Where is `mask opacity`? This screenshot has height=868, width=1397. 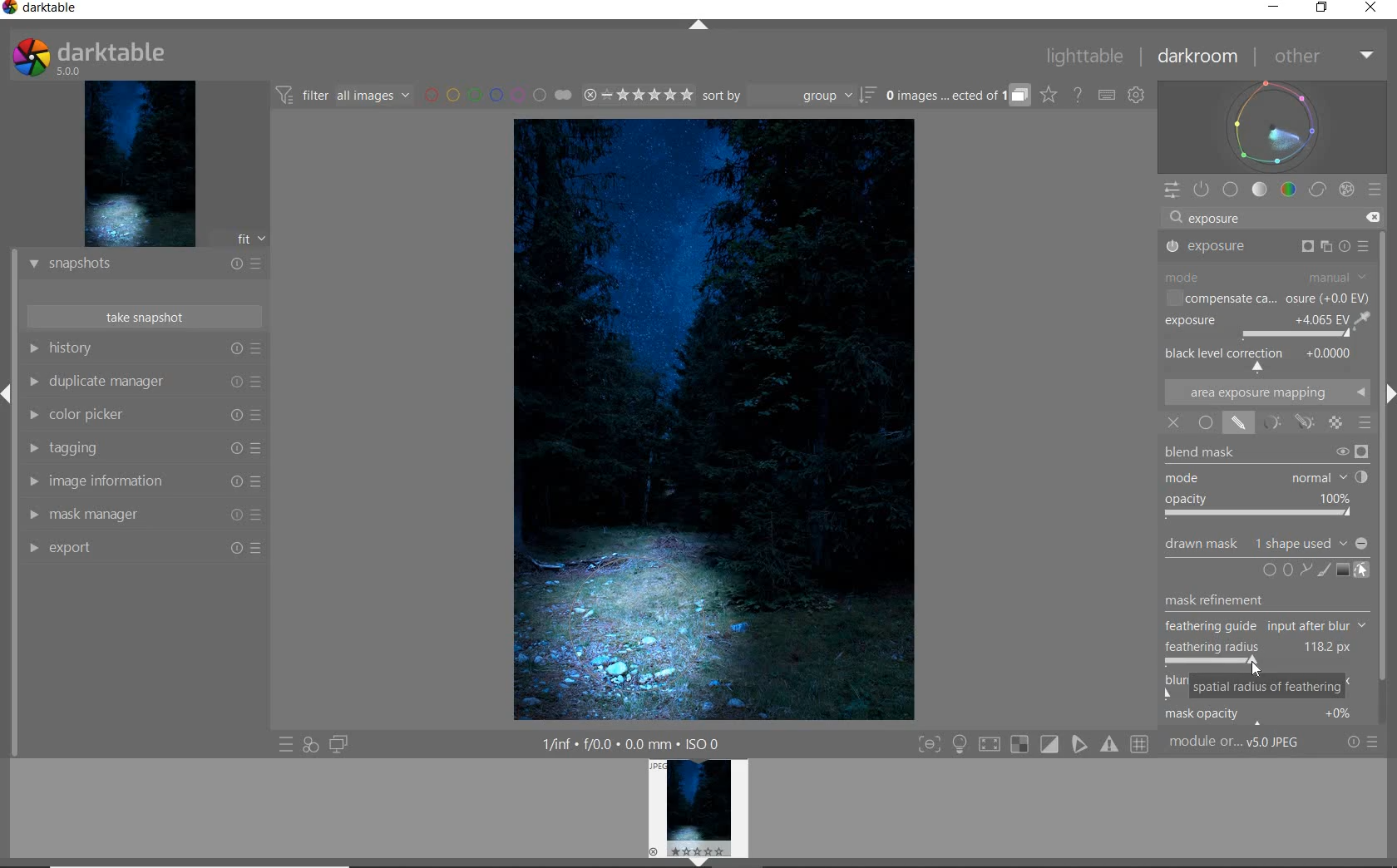 mask opacity is located at coordinates (1253, 712).